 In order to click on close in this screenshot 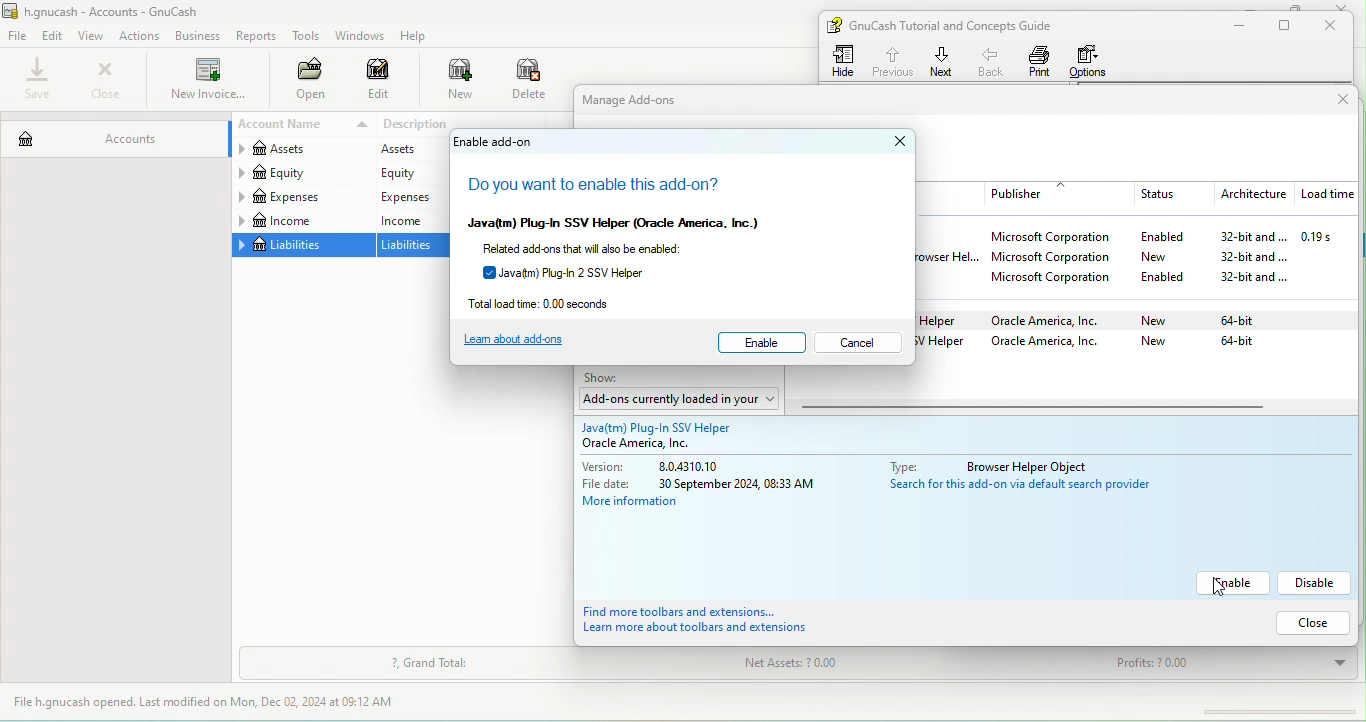, I will do `click(1325, 100)`.